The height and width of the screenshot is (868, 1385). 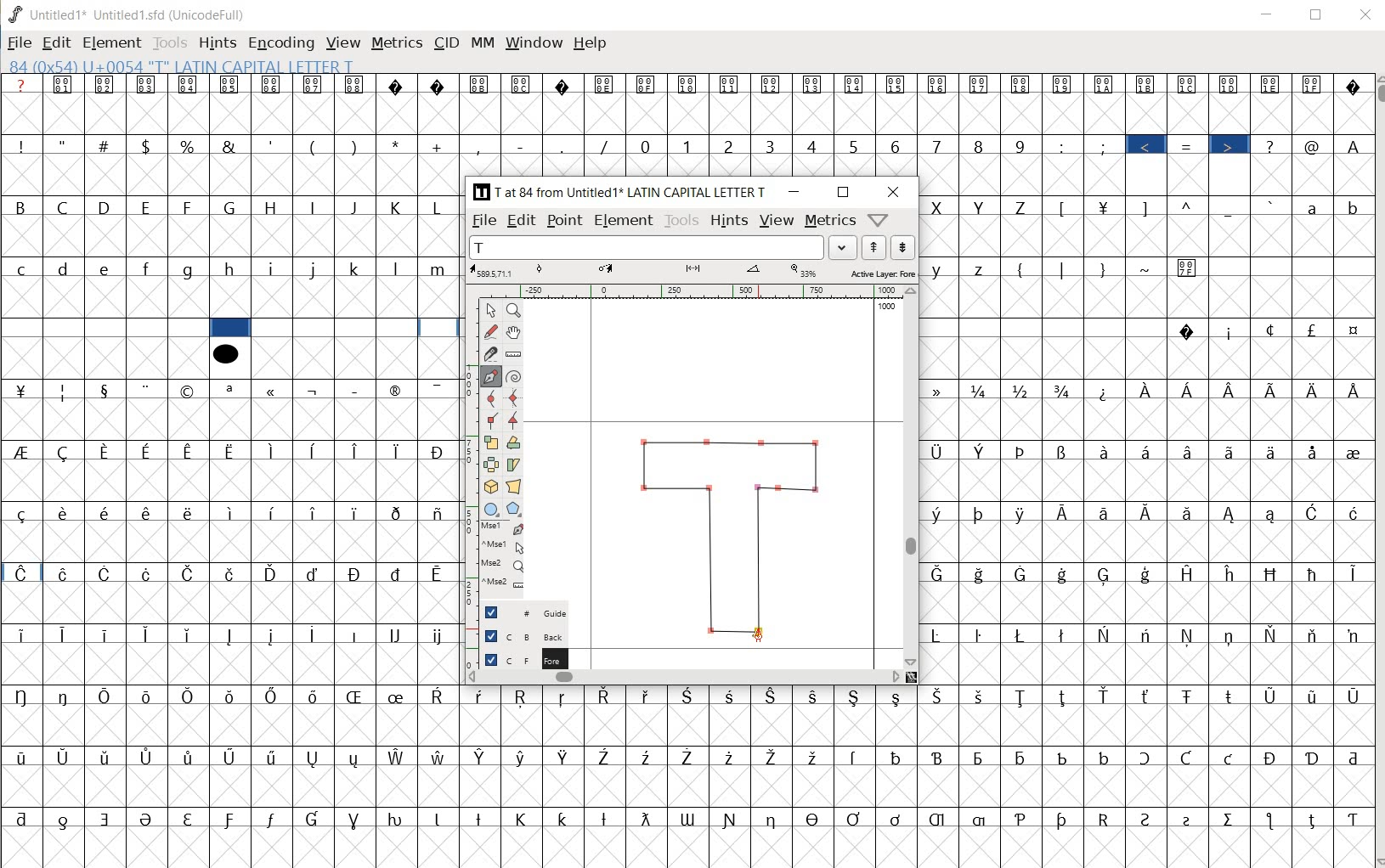 What do you see at coordinates (1290, 268) in the screenshot?
I see `empty spaces` at bounding box center [1290, 268].